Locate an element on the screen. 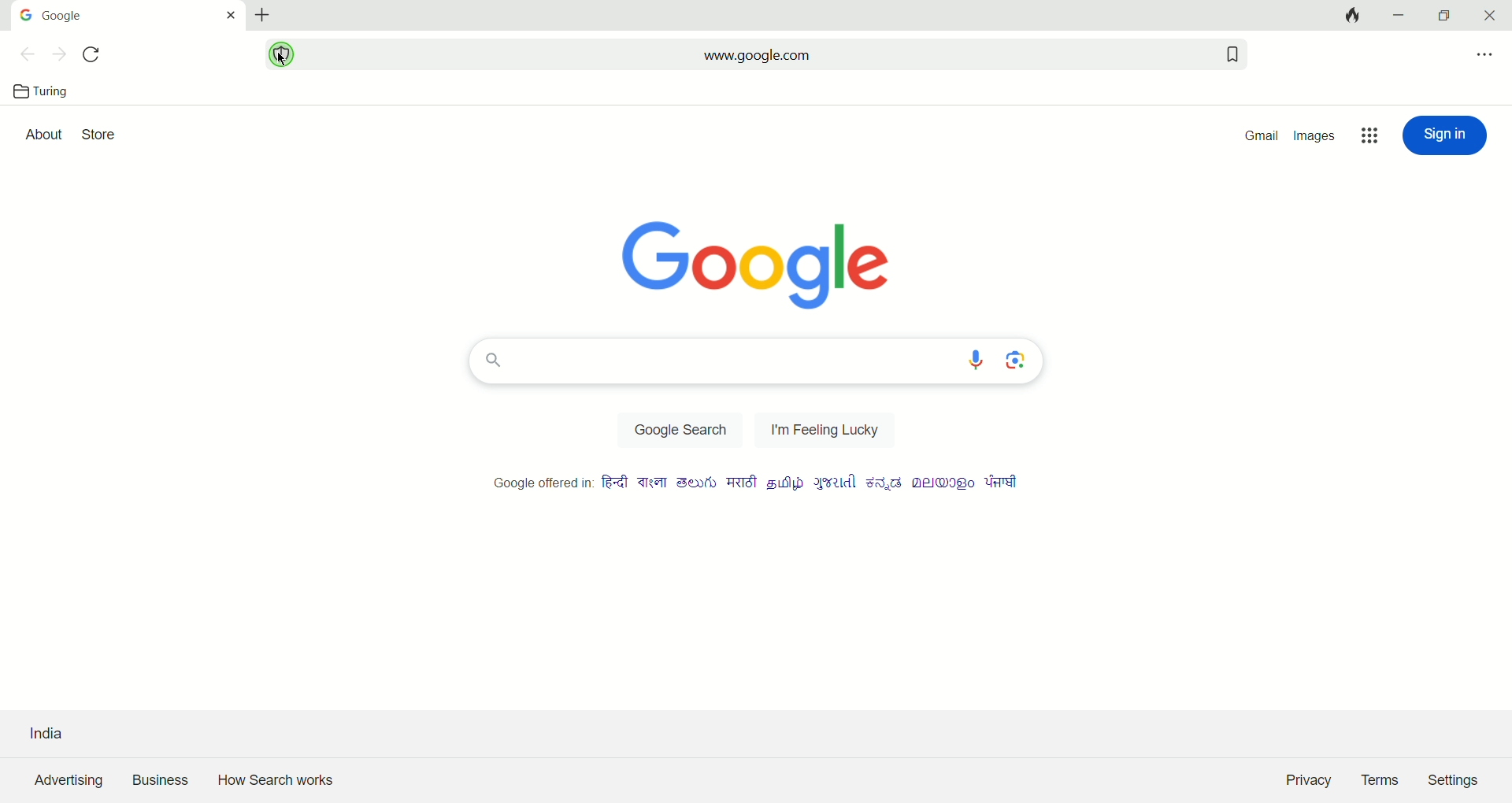  close tab is located at coordinates (226, 16).